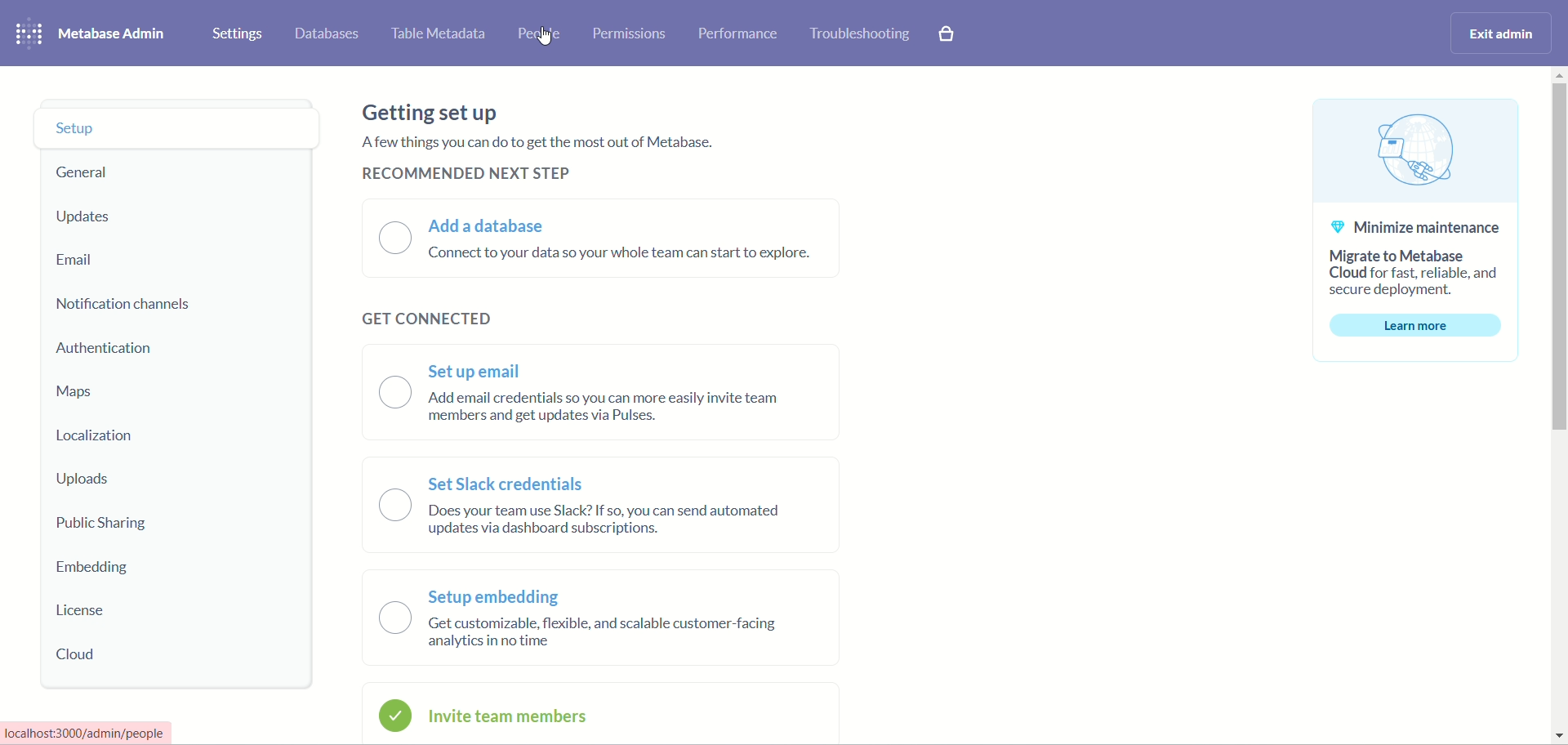 The width and height of the screenshot is (1568, 745). Describe the element at coordinates (1558, 405) in the screenshot. I see `vertical scroll bar` at that location.